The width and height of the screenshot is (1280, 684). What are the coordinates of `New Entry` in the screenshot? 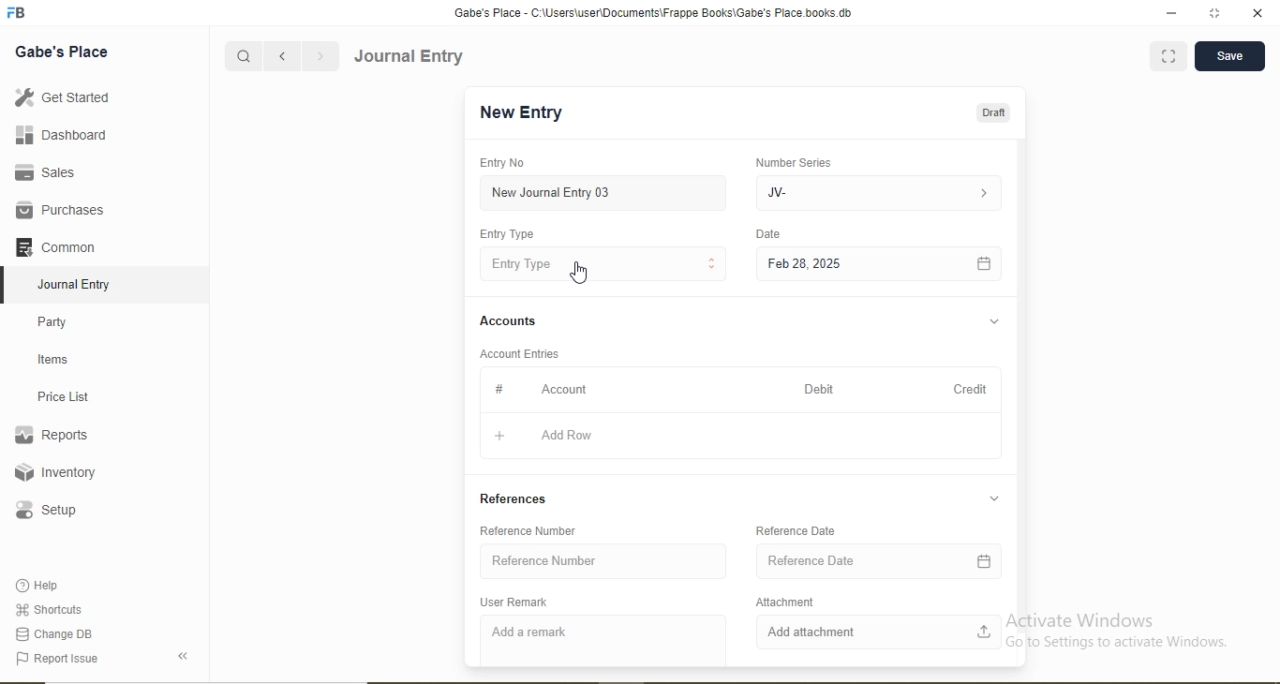 It's located at (520, 113).